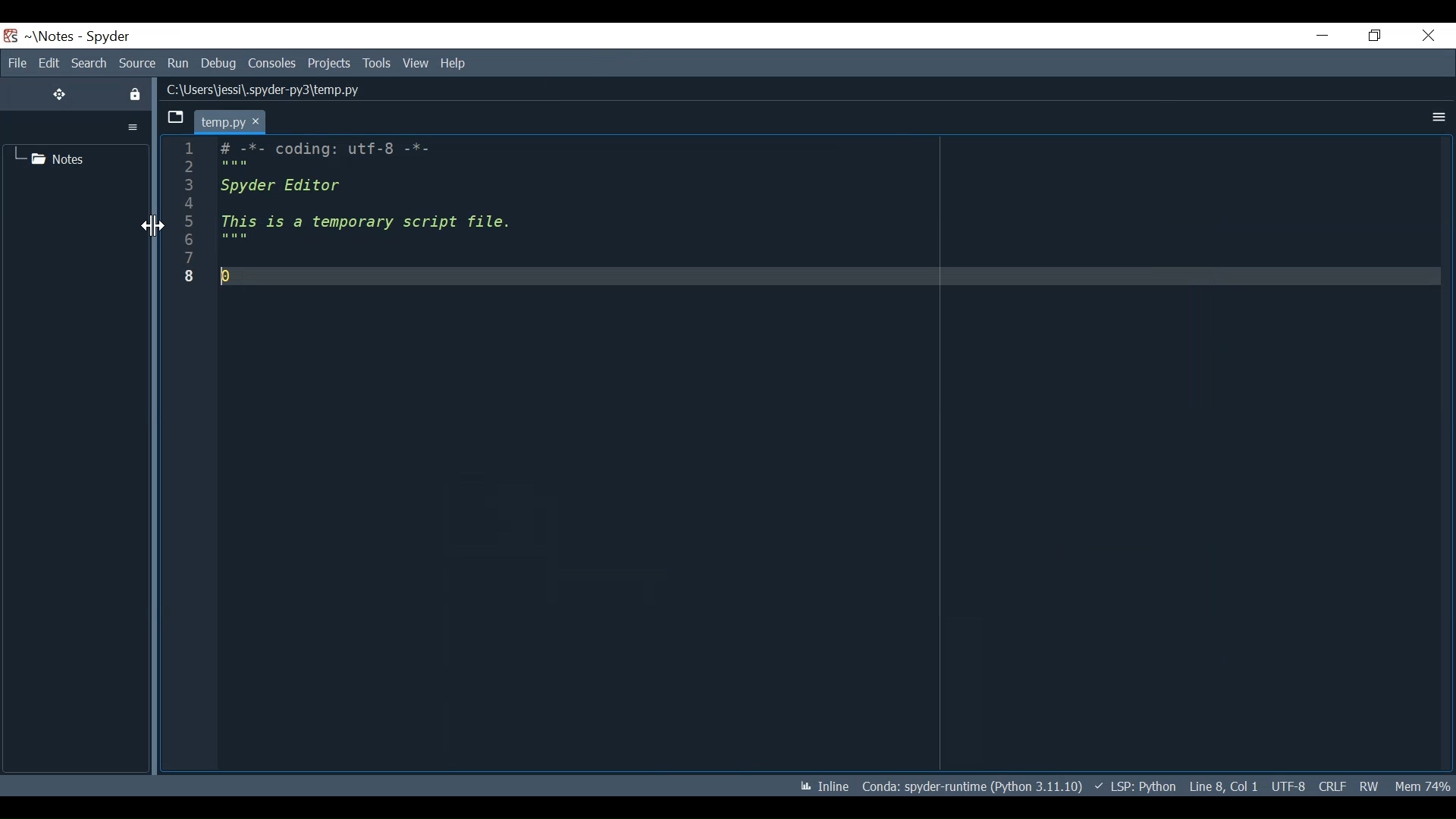 This screenshot has width=1456, height=819. What do you see at coordinates (1437, 117) in the screenshot?
I see `More Options` at bounding box center [1437, 117].